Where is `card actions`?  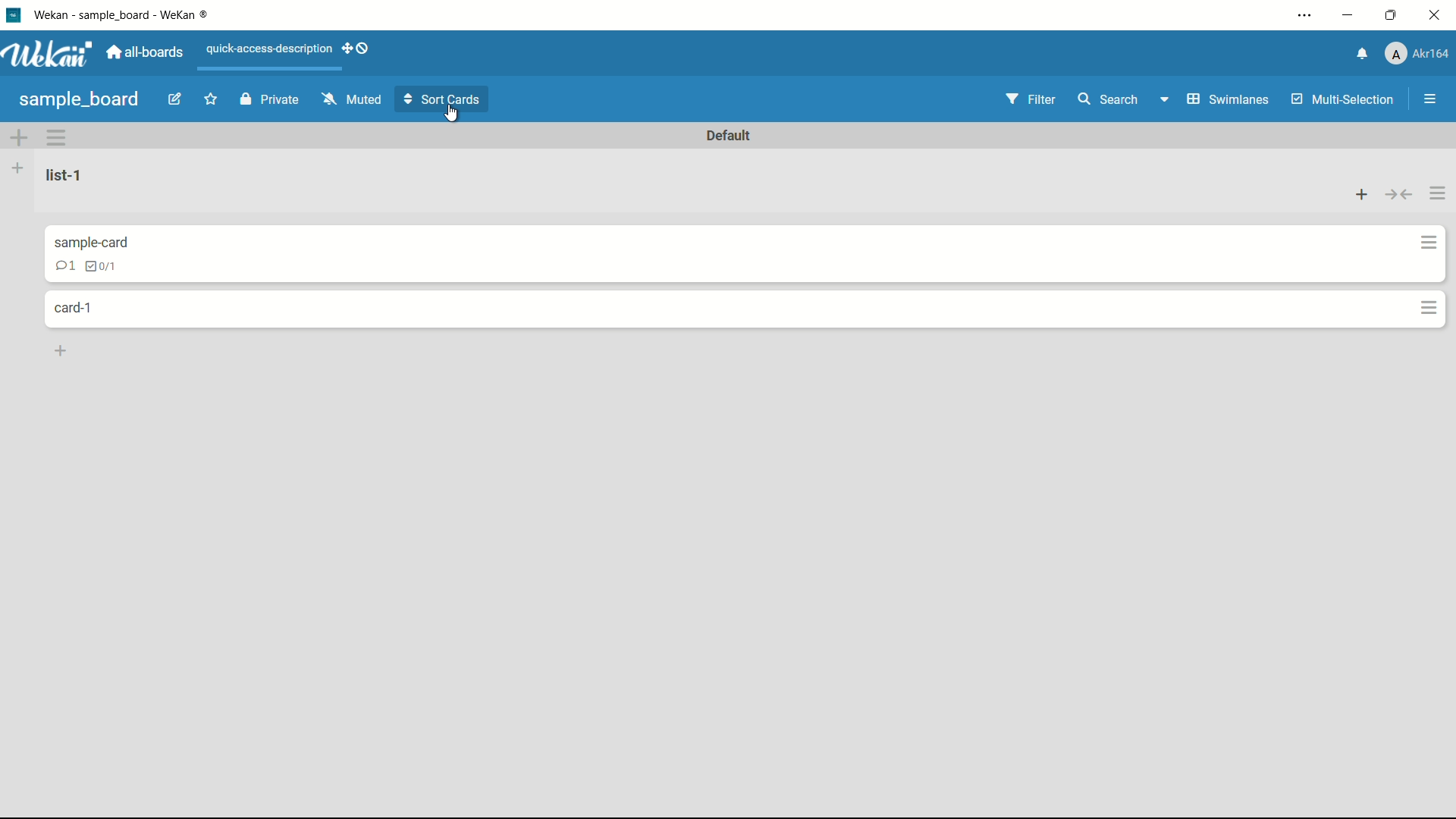 card actions is located at coordinates (1428, 307).